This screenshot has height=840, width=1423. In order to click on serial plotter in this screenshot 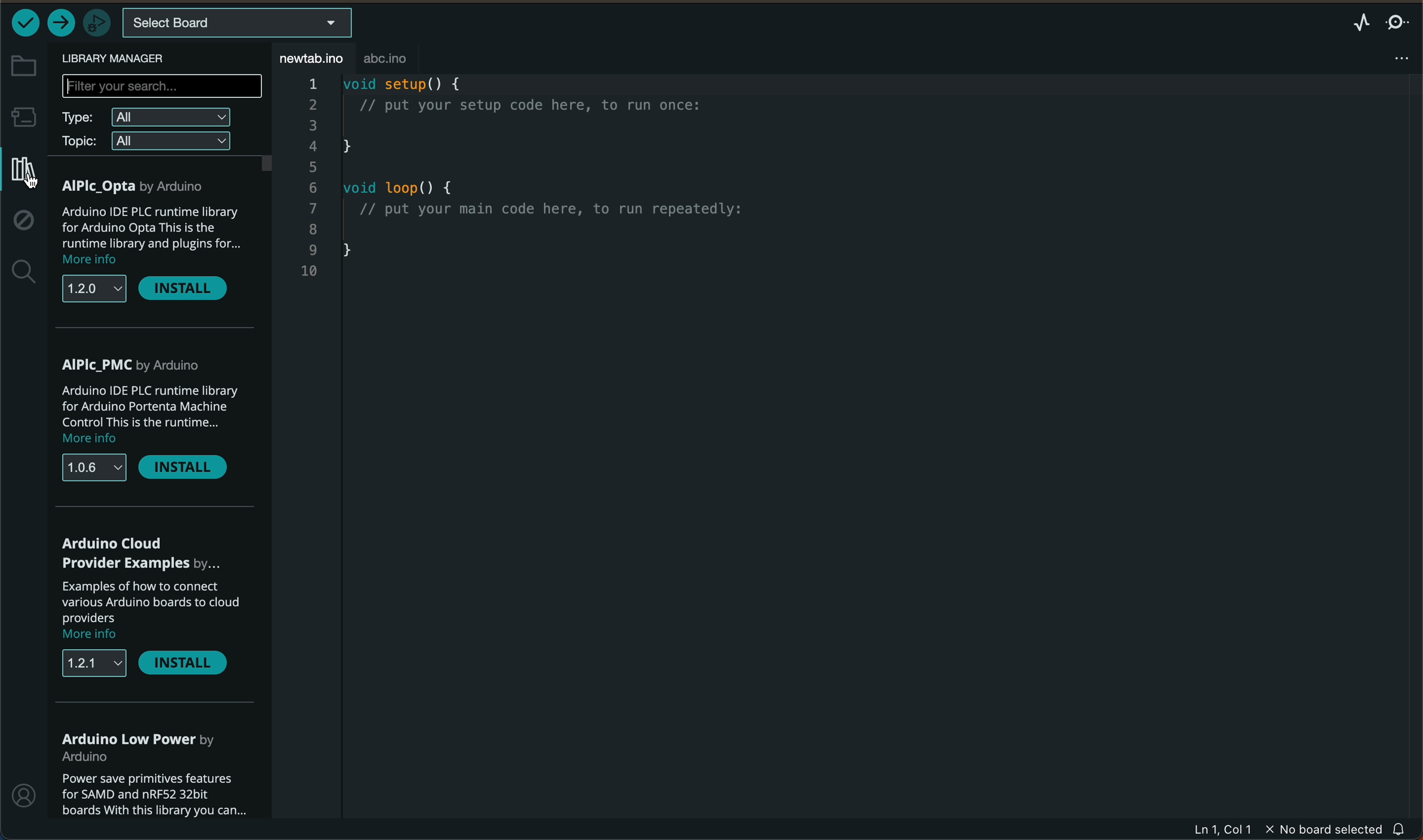, I will do `click(1362, 22)`.